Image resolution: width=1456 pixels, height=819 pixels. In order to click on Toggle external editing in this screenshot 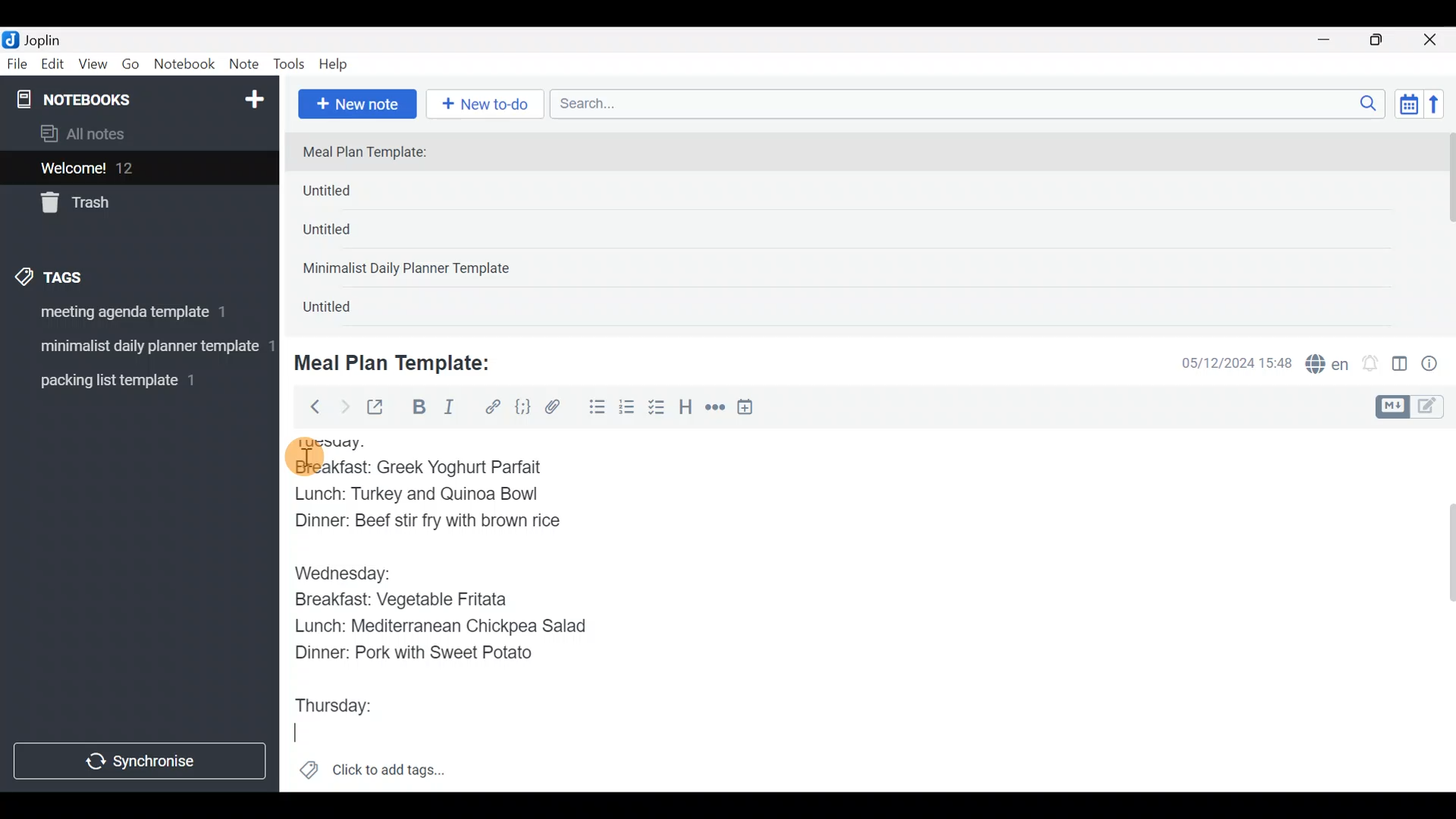, I will do `click(381, 408)`.